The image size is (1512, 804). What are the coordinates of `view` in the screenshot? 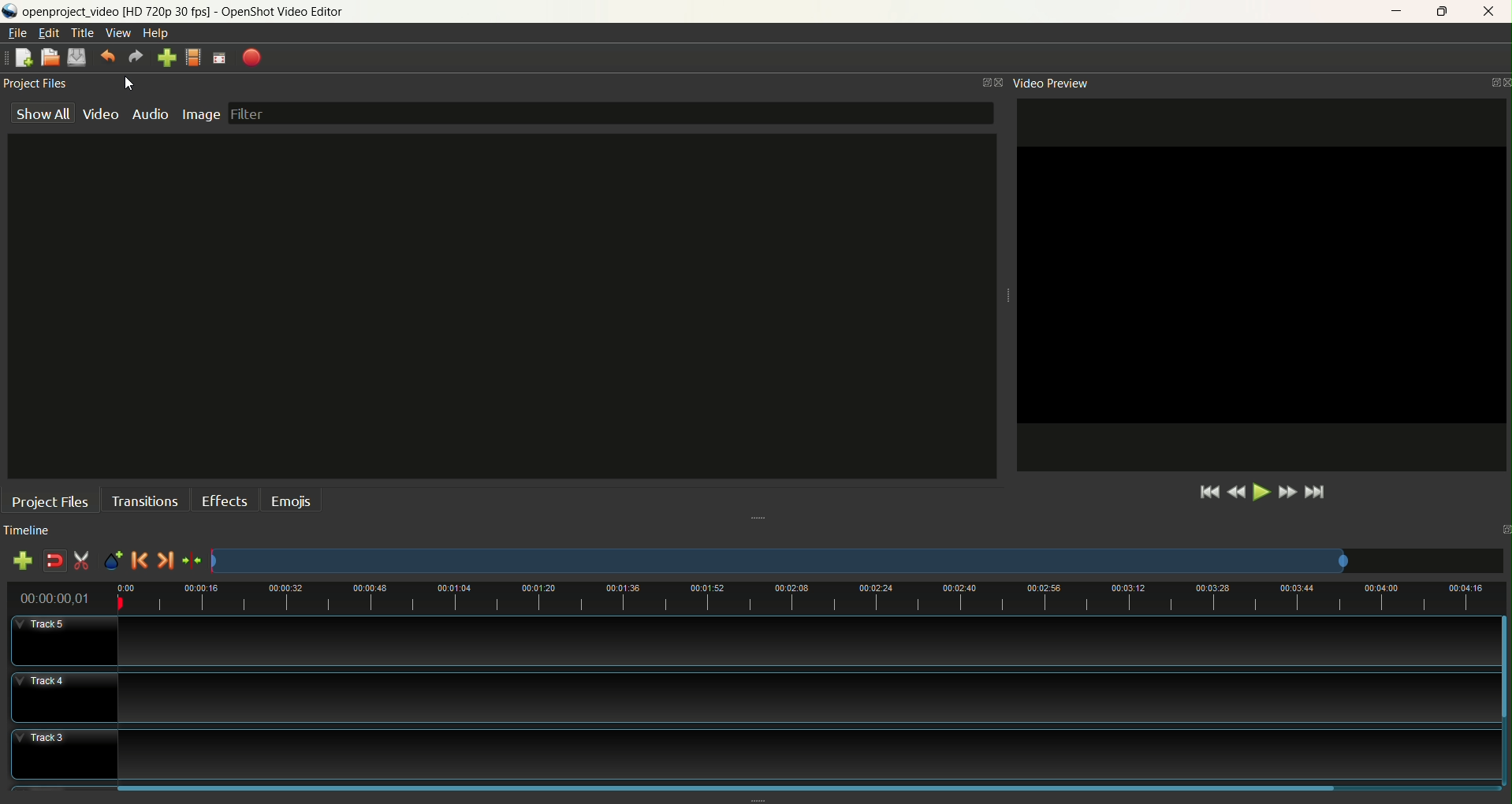 It's located at (119, 33).